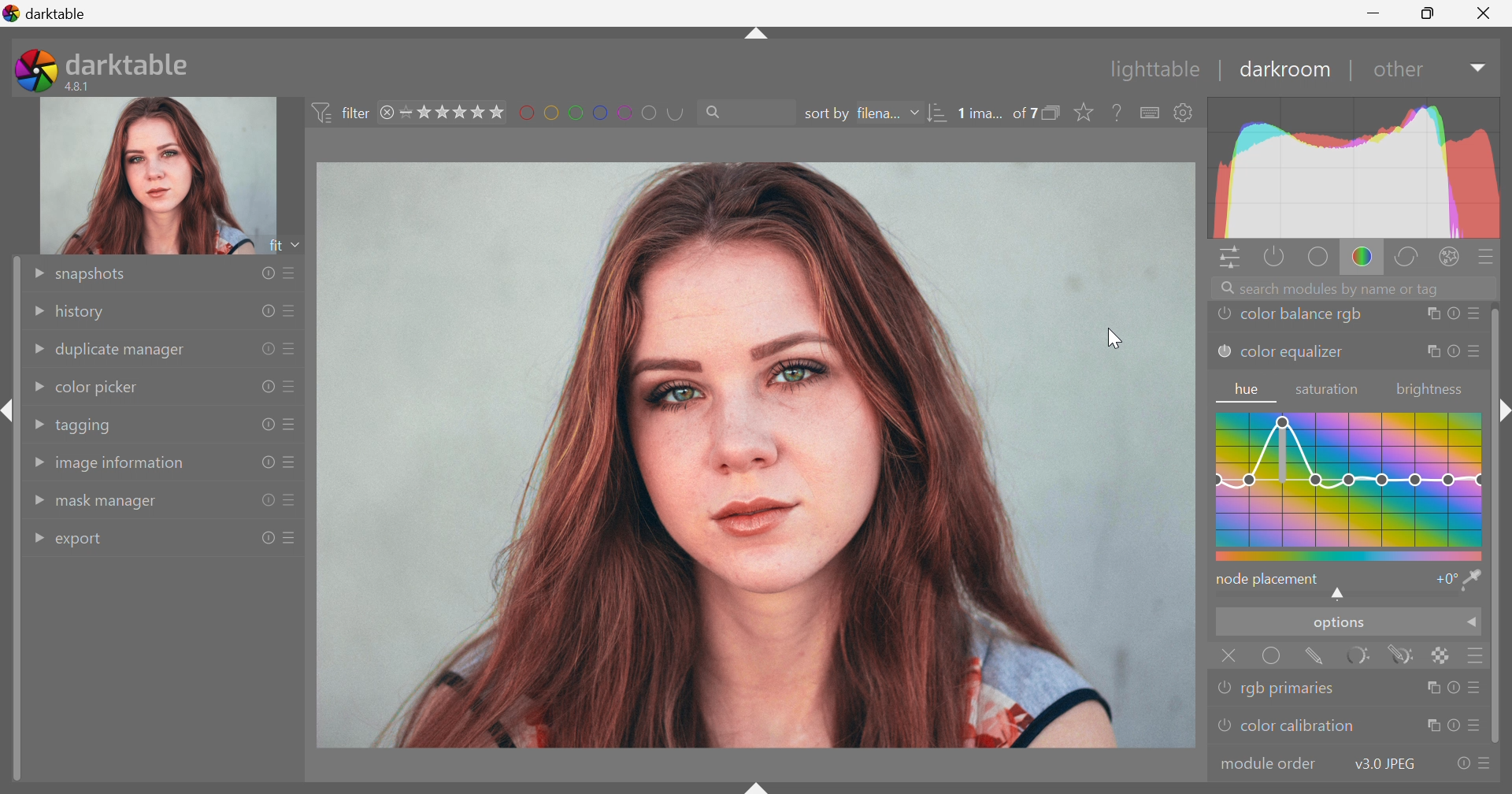 Image resolution: width=1512 pixels, height=794 pixels. Describe the element at coordinates (1293, 355) in the screenshot. I see `color equalizer` at that location.